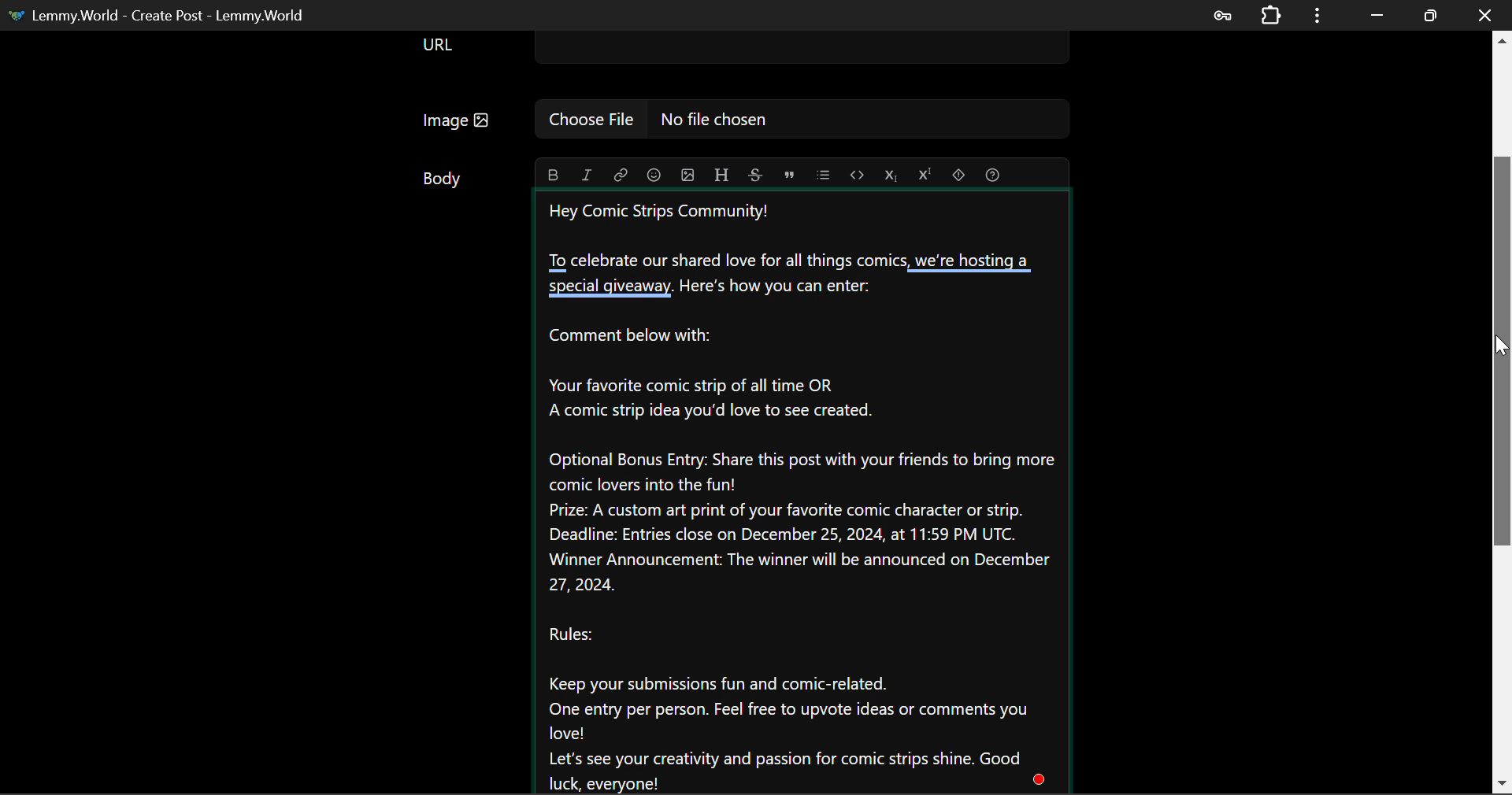 This screenshot has width=1512, height=795. What do you see at coordinates (821, 174) in the screenshot?
I see `list` at bounding box center [821, 174].